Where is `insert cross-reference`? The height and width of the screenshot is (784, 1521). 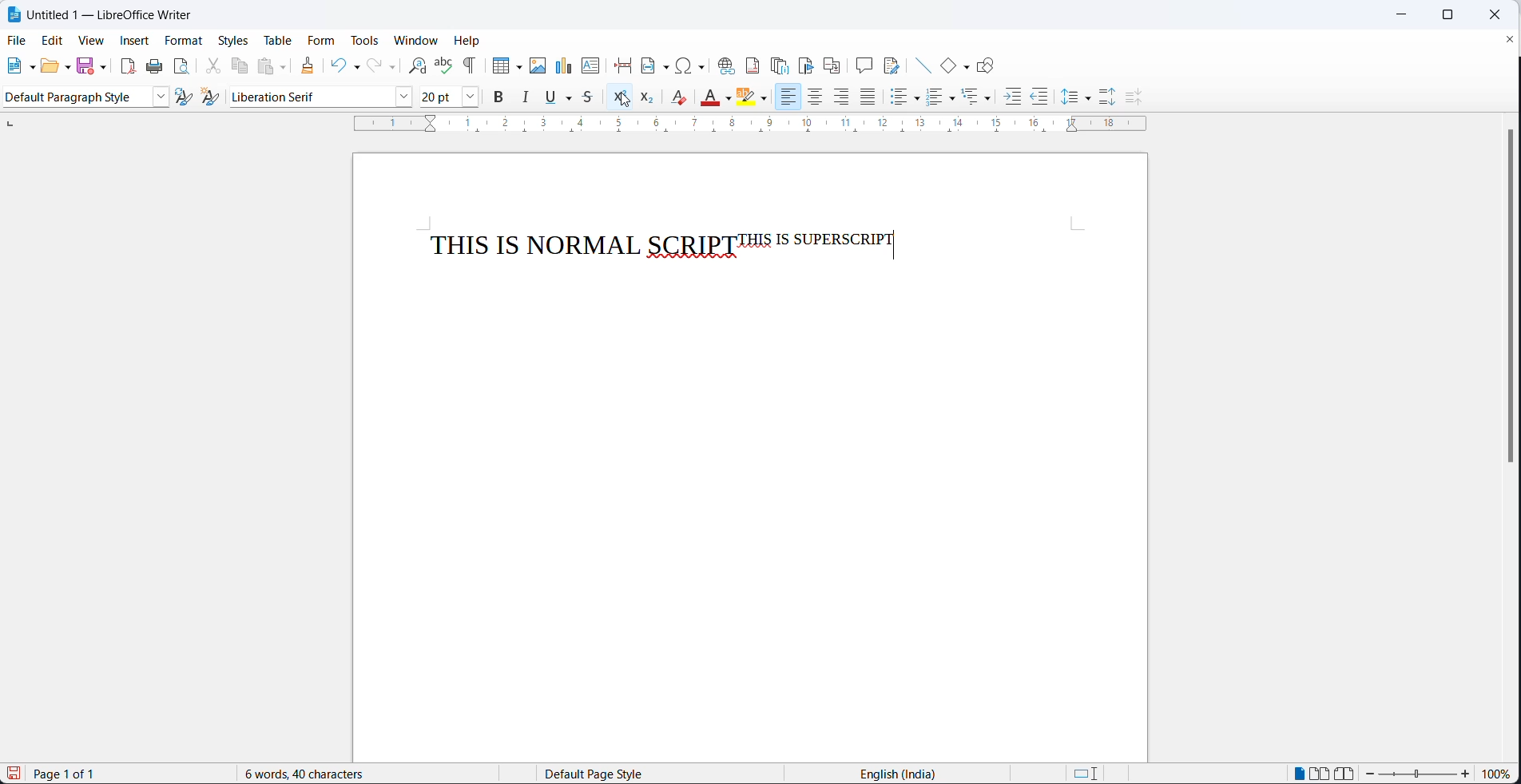
insert cross-reference is located at coordinates (832, 63).